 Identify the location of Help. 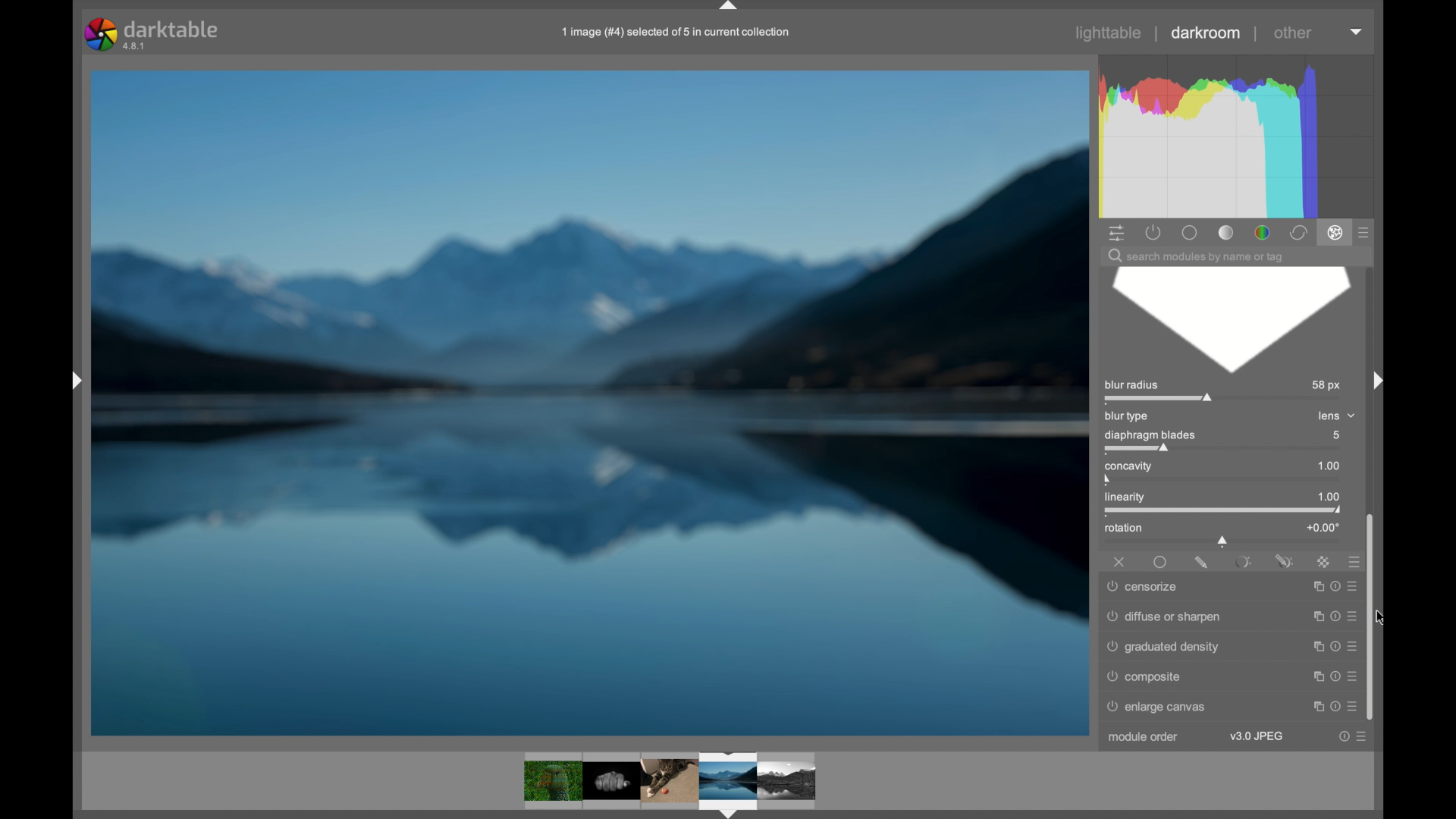
(1335, 704).